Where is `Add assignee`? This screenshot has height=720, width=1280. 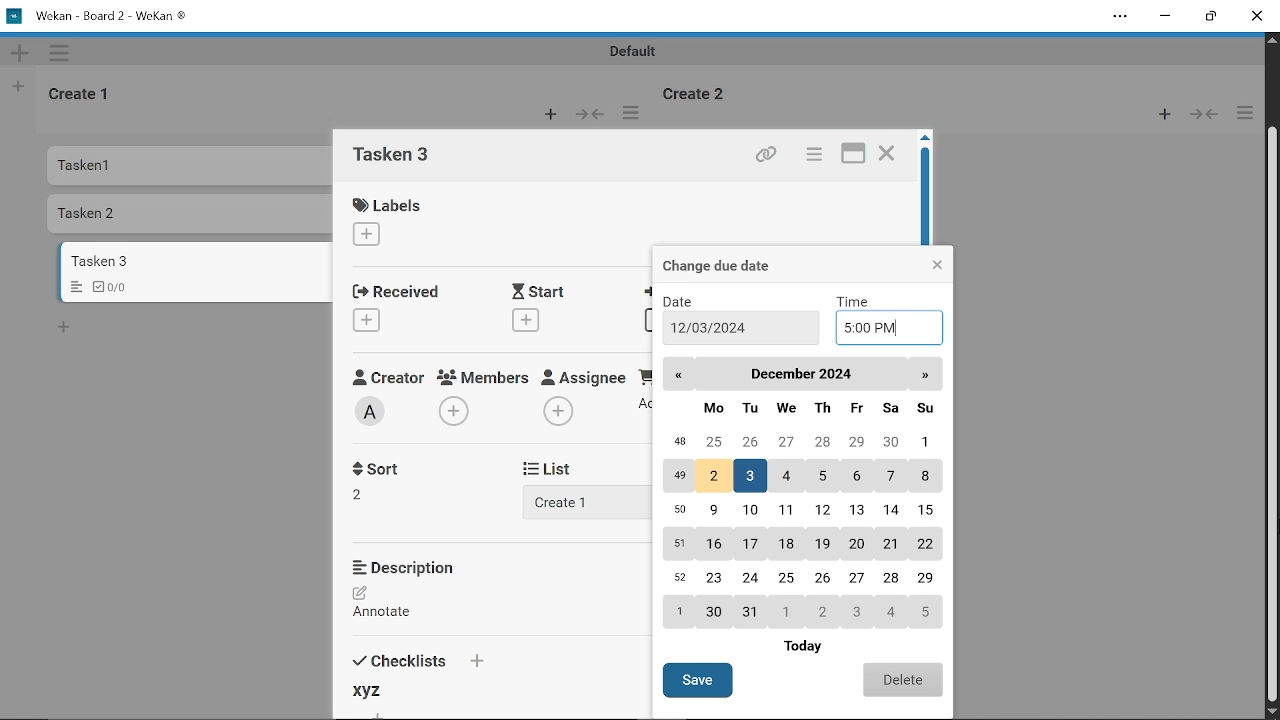
Add assignee is located at coordinates (558, 412).